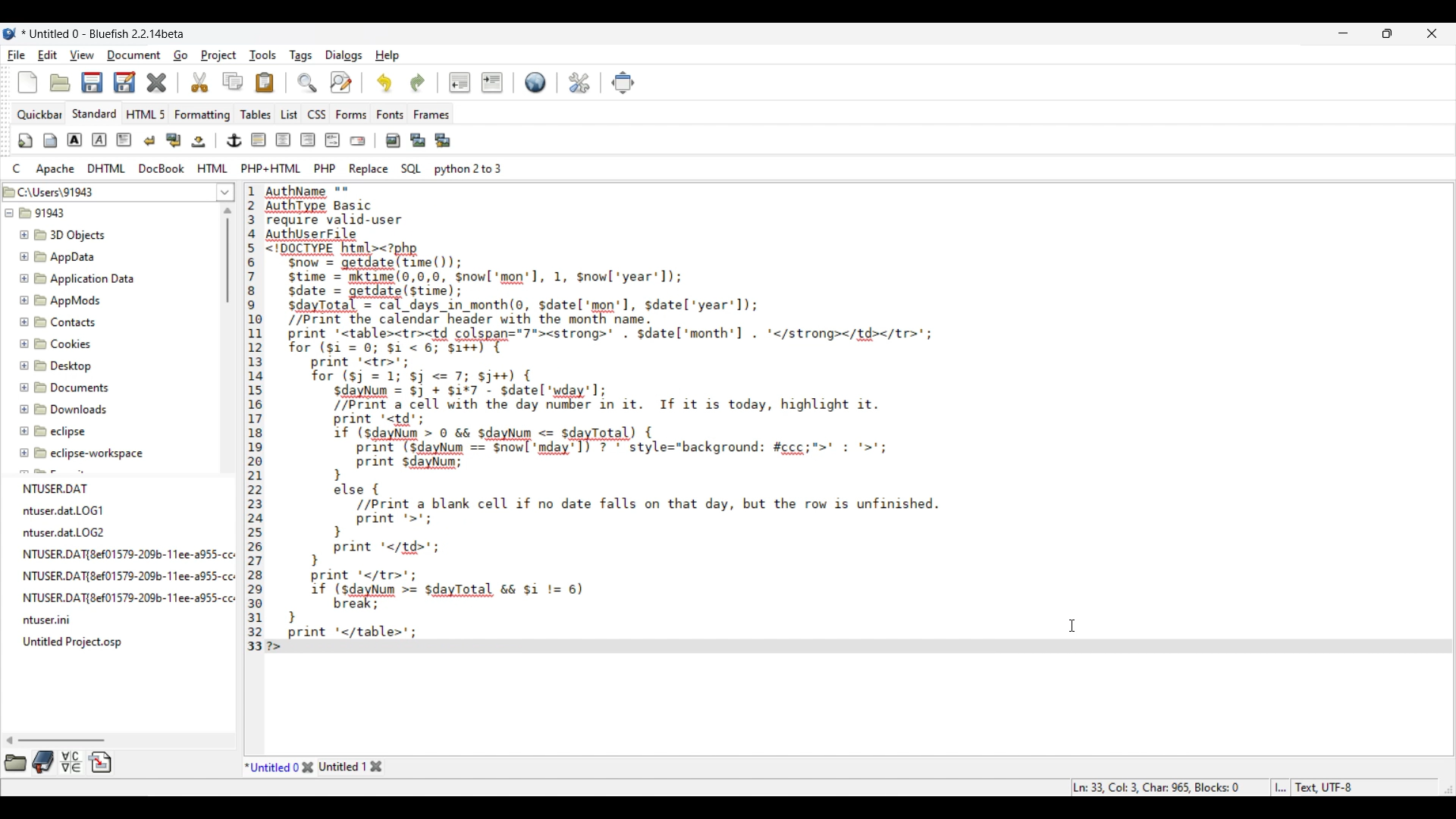 The height and width of the screenshot is (819, 1456). I want to click on Current code, so click(838, 419).